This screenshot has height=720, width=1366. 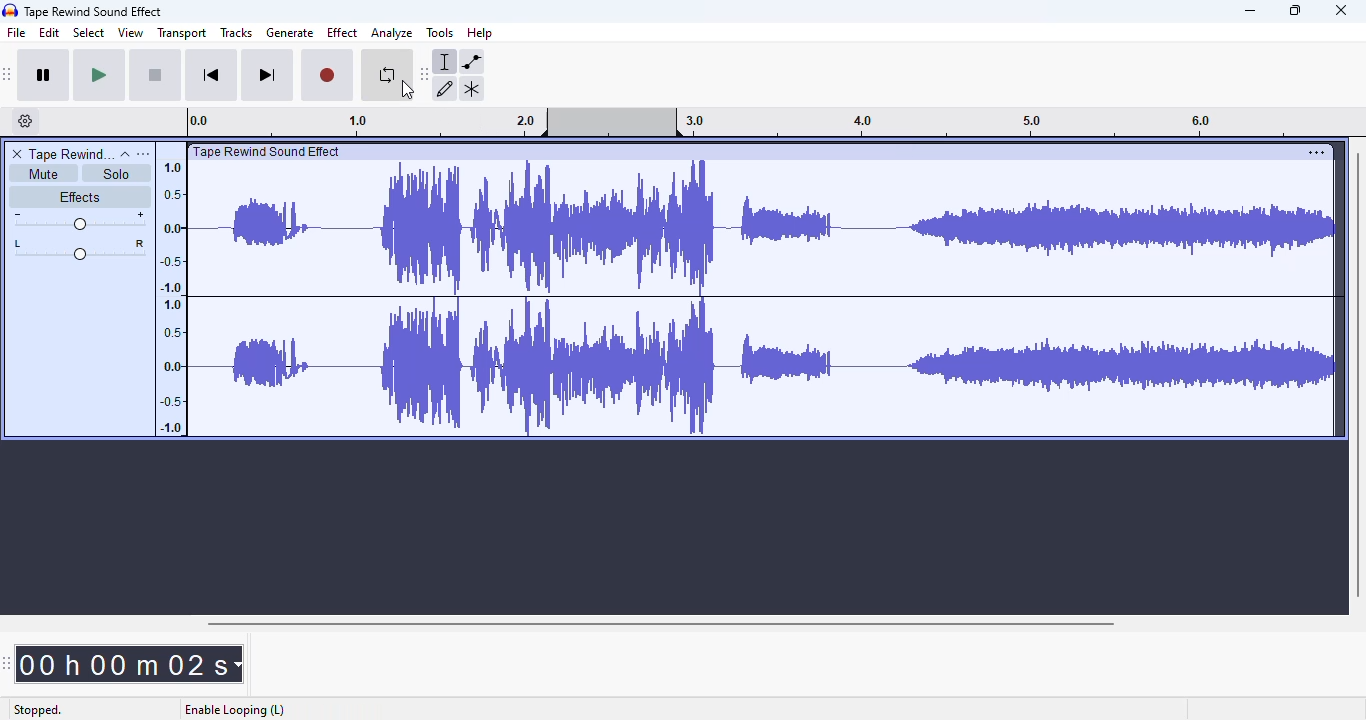 I want to click on file, so click(x=16, y=32).